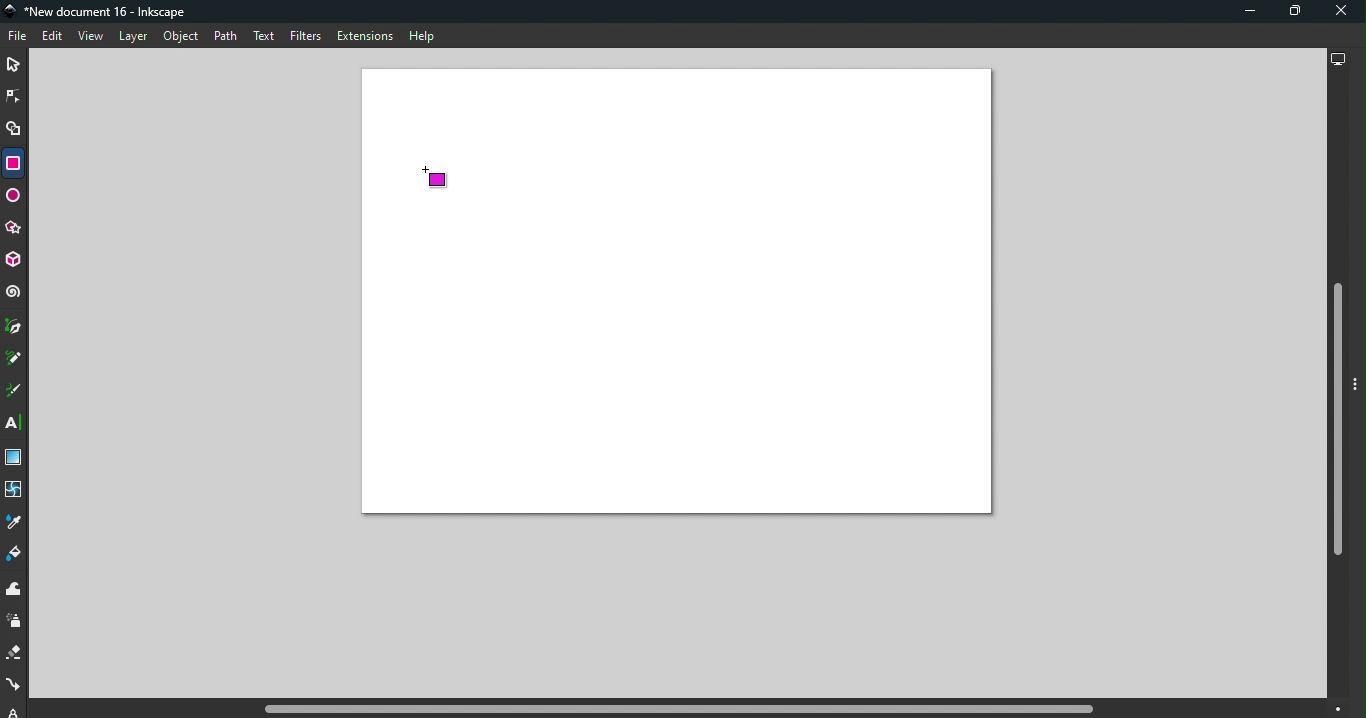 This screenshot has height=718, width=1366. What do you see at coordinates (16, 458) in the screenshot?
I see `Gradient tool` at bounding box center [16, 458].